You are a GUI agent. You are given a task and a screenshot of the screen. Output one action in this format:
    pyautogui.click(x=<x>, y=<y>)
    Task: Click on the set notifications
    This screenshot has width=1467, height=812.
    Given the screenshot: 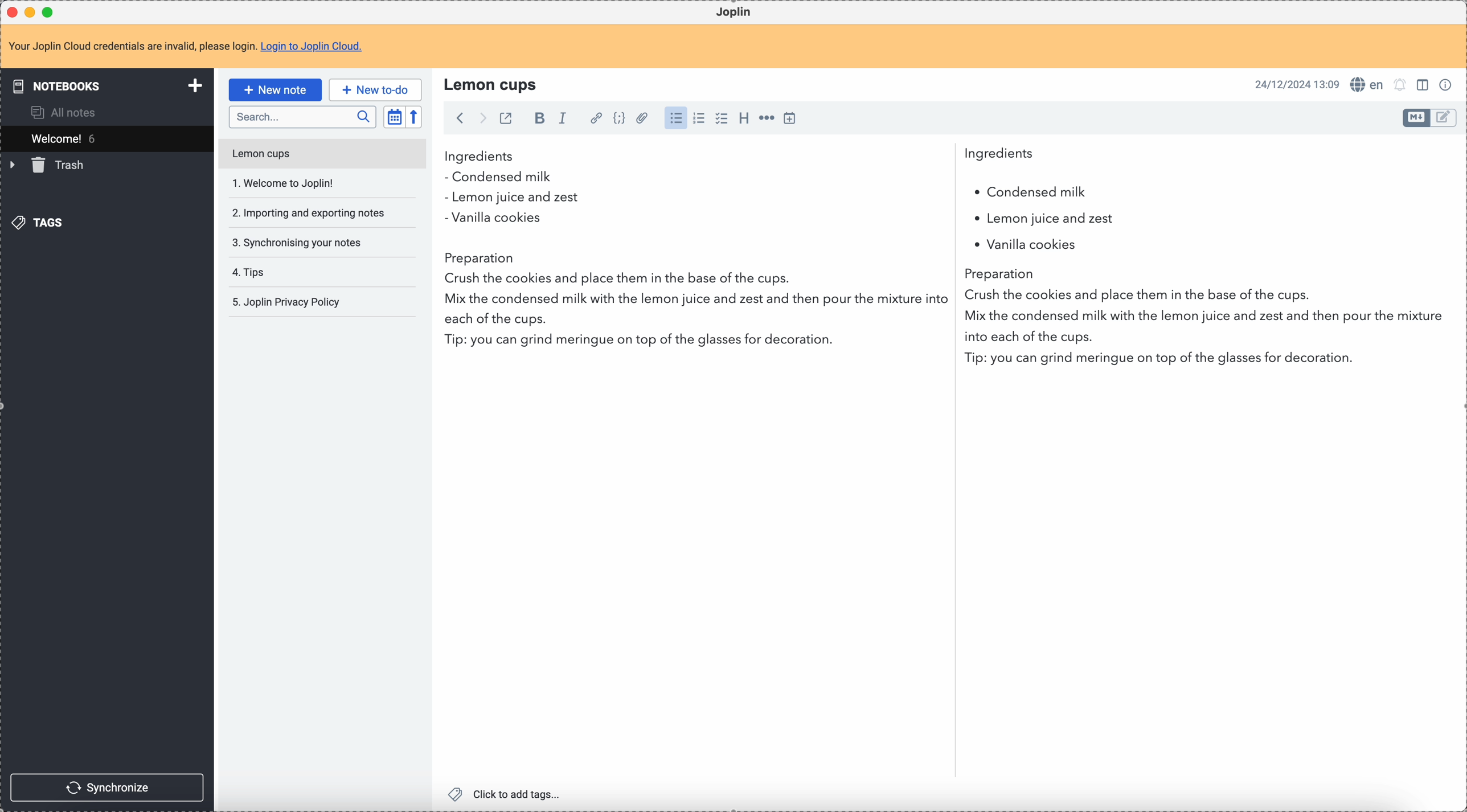 What is the action you would take?
    pyautogui.click(x=1400, y=84)
    